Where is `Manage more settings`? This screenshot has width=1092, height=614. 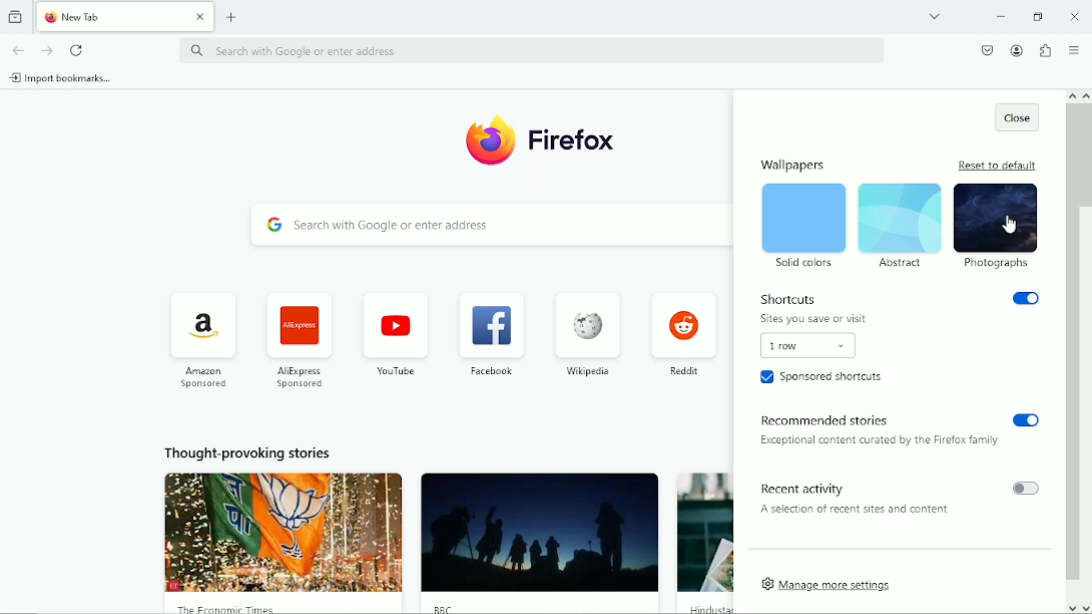
Manage more settings is located at coordinates (831, 583).